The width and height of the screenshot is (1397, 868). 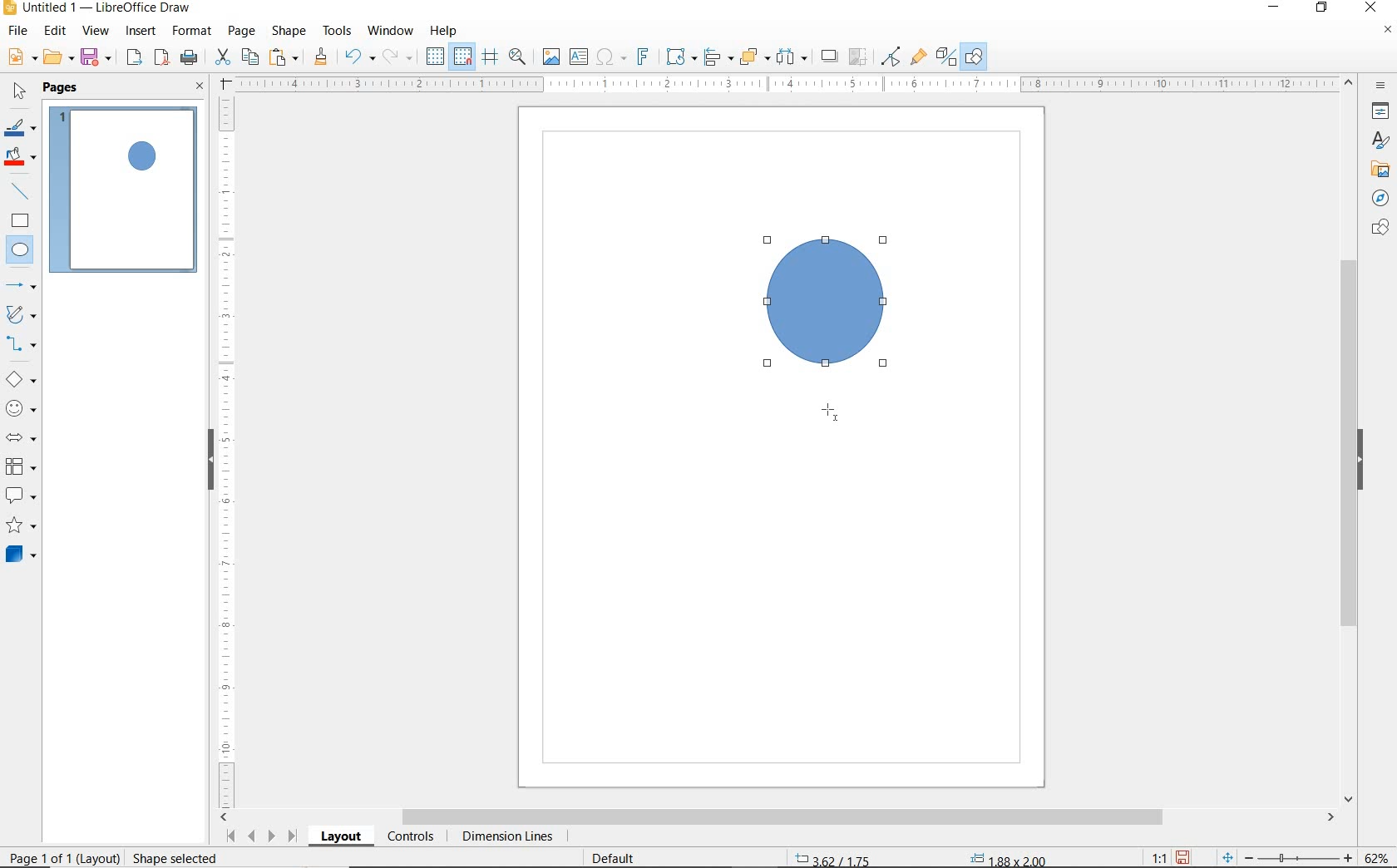 I want to click on SAVE, so click(x=98, y=57).